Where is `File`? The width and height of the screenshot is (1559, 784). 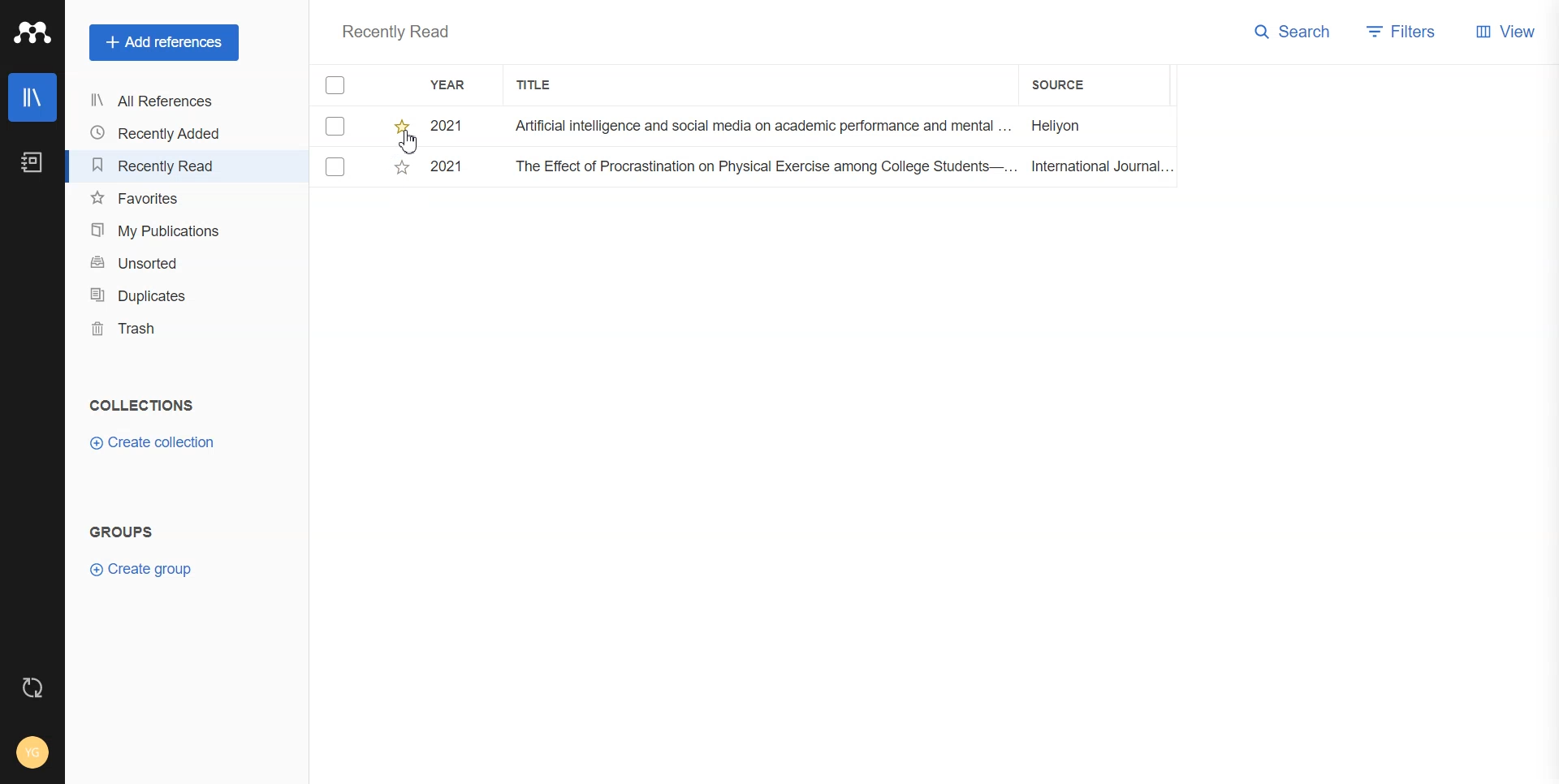 File is located at coordinates (742, 127).